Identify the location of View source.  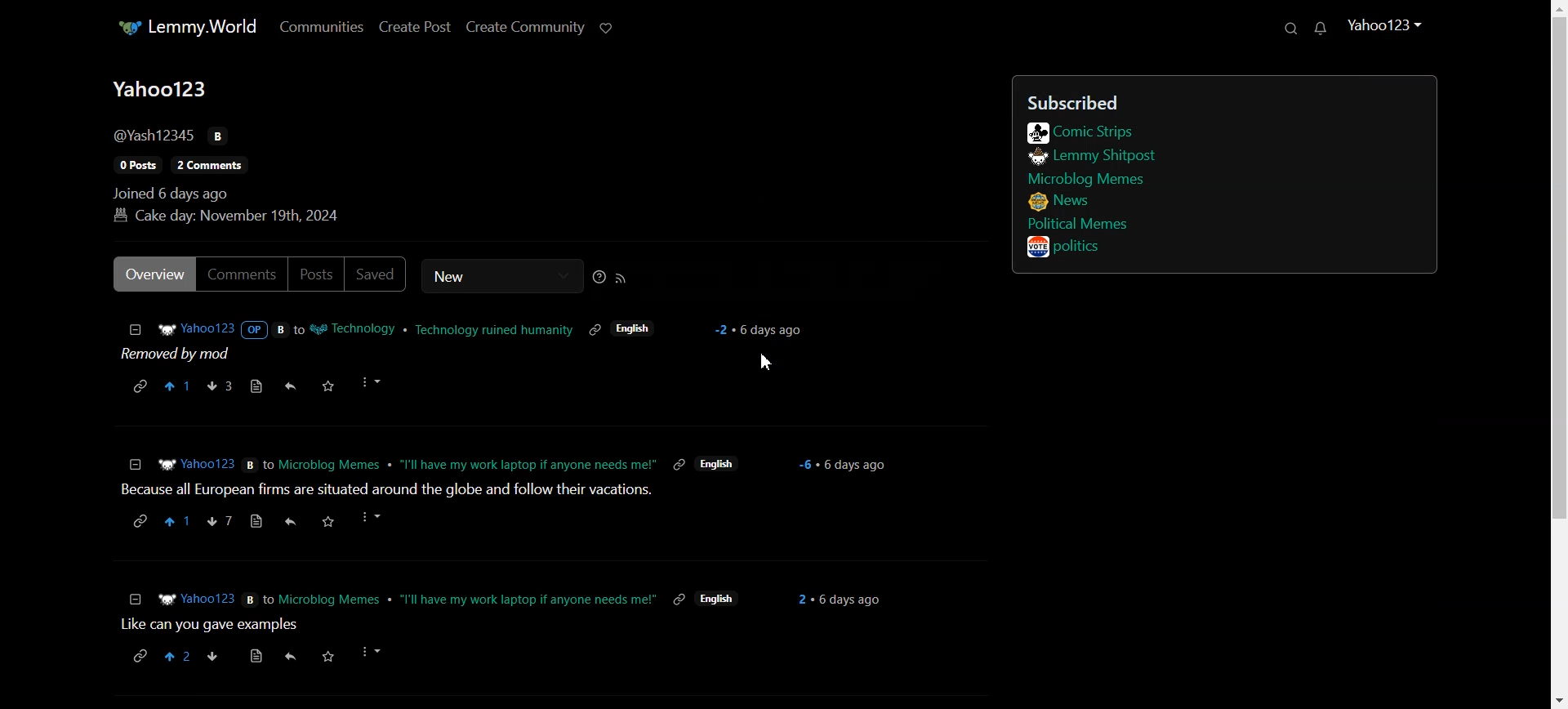
(255, 386).